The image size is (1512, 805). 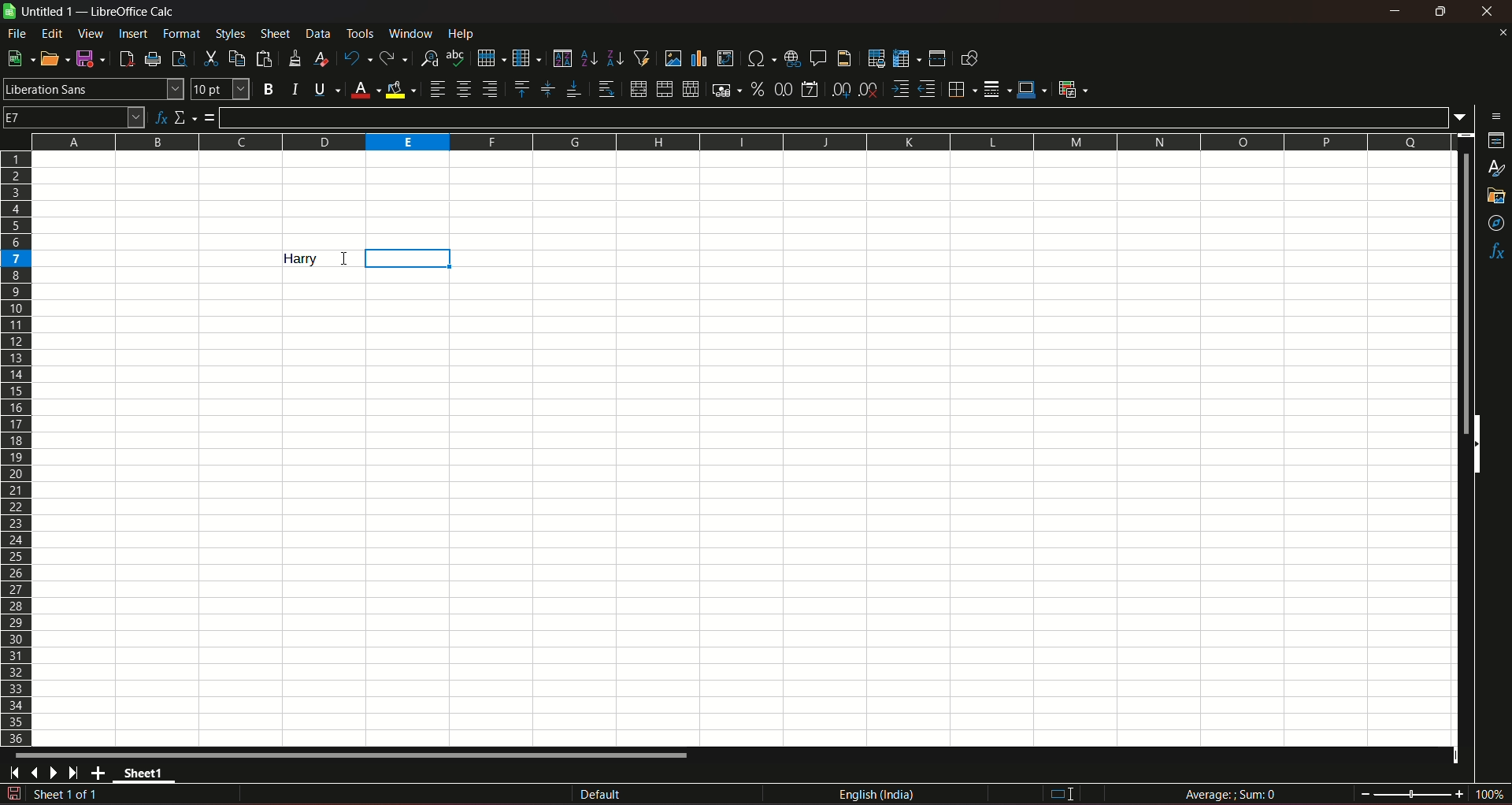 What do you see at coordinates (17, 447) in the screenshot?
I see `rows` at bounding box center [17, 447].